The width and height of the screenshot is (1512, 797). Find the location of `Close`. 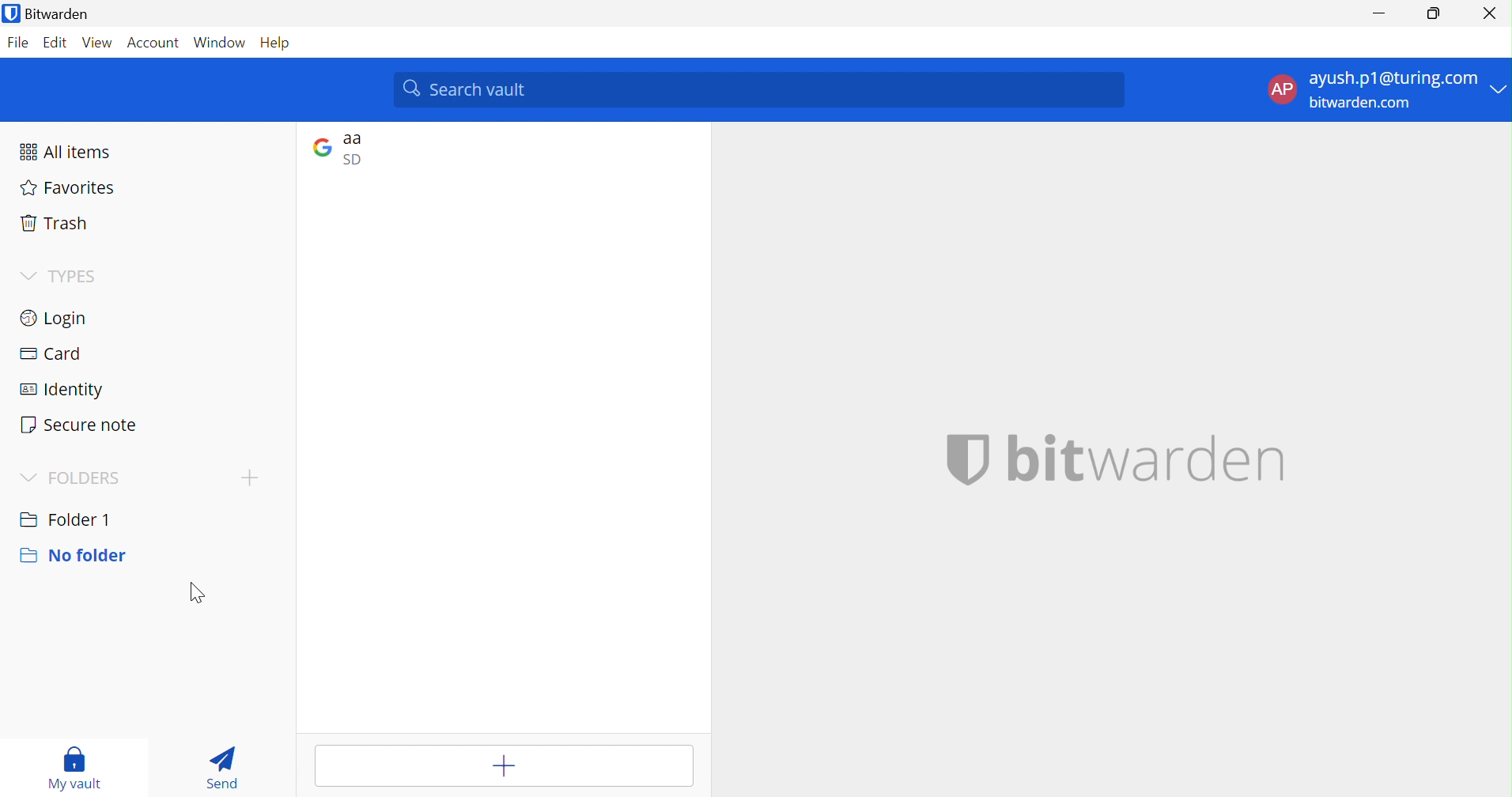

Close is located at coordinates (1493, 14).